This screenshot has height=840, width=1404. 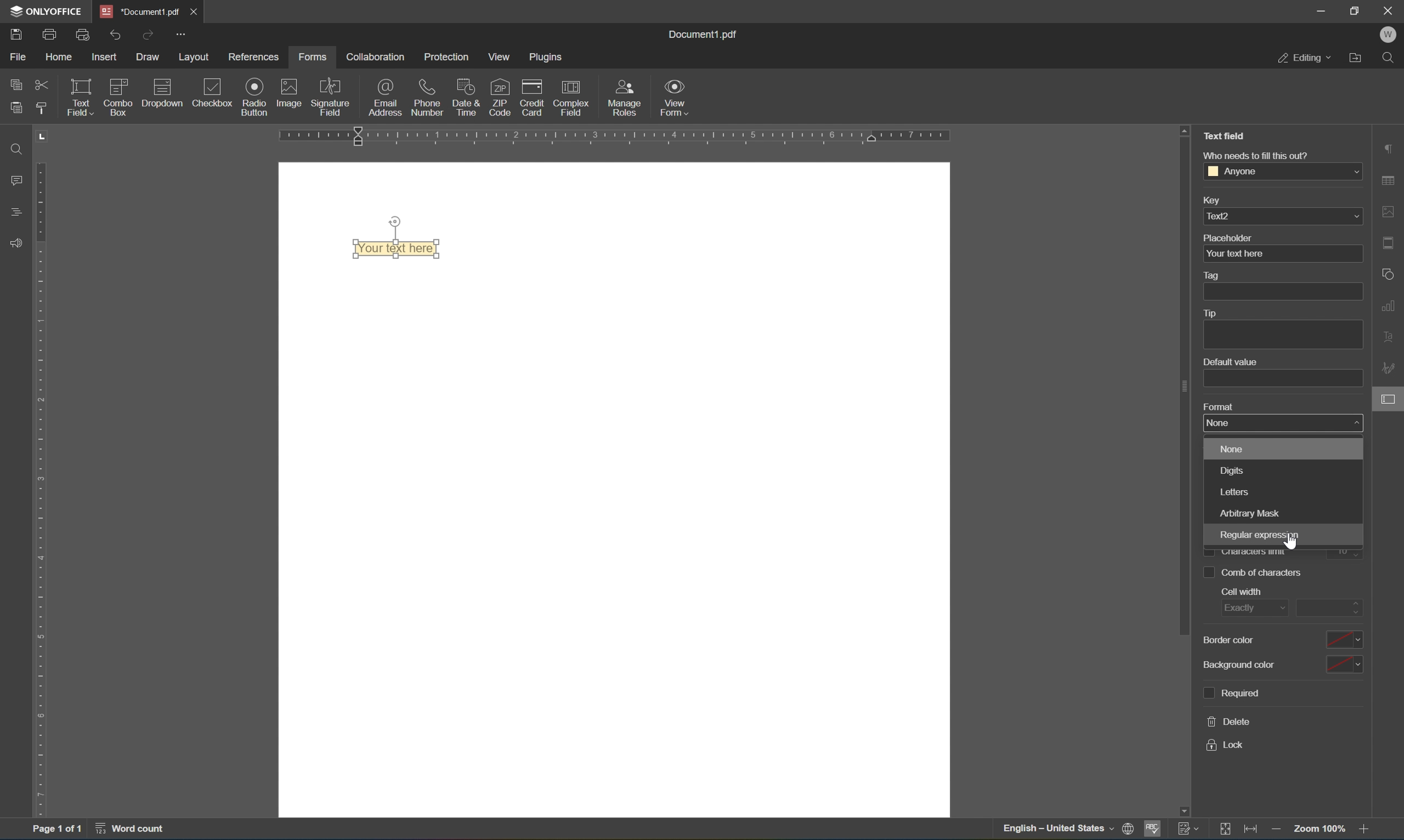 What do you see at coordinates (1388, 365) in the screenshot?
I see `signature settings` at bounding box center [1388, 365].